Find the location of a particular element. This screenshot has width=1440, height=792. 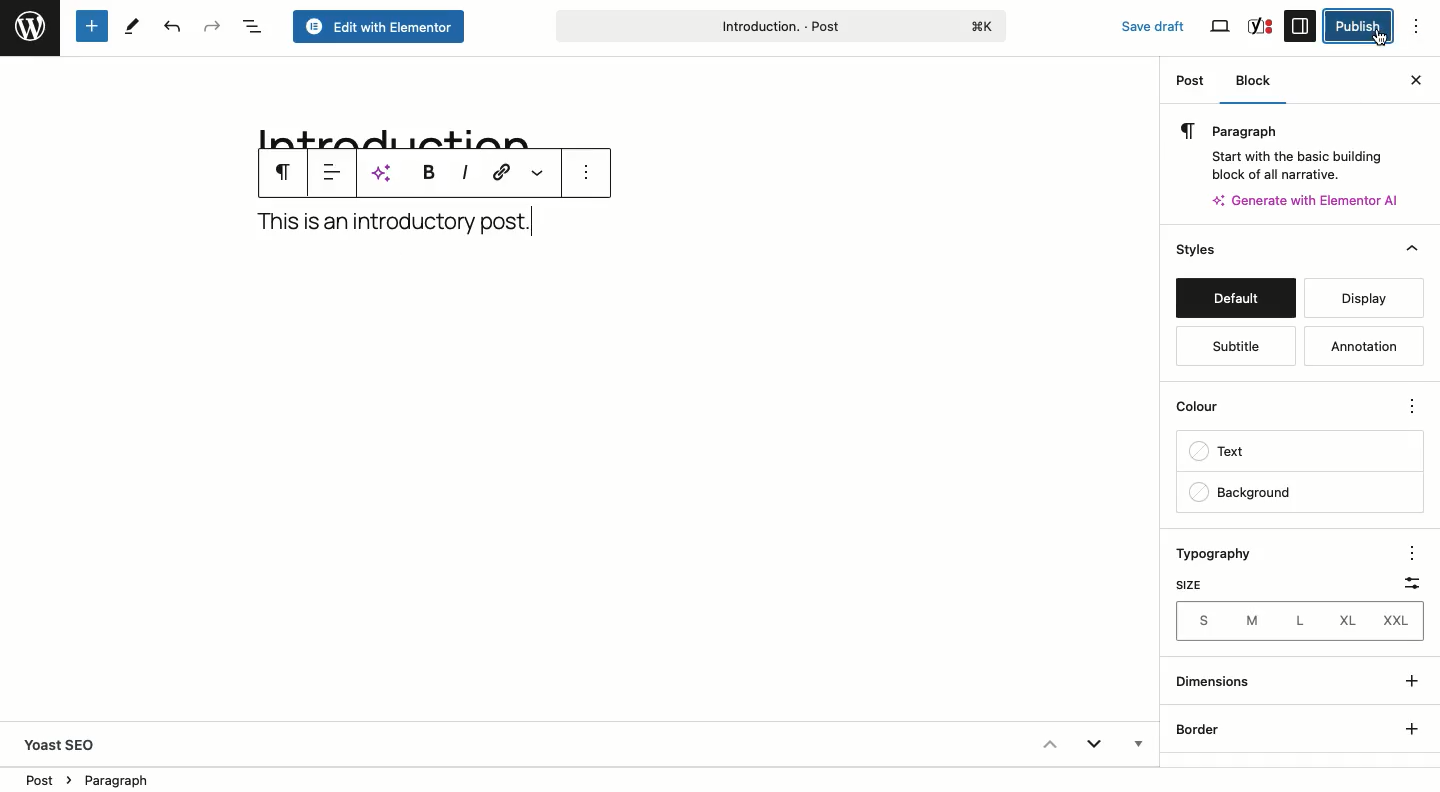

Scale is located at coordinates (1406, 579).